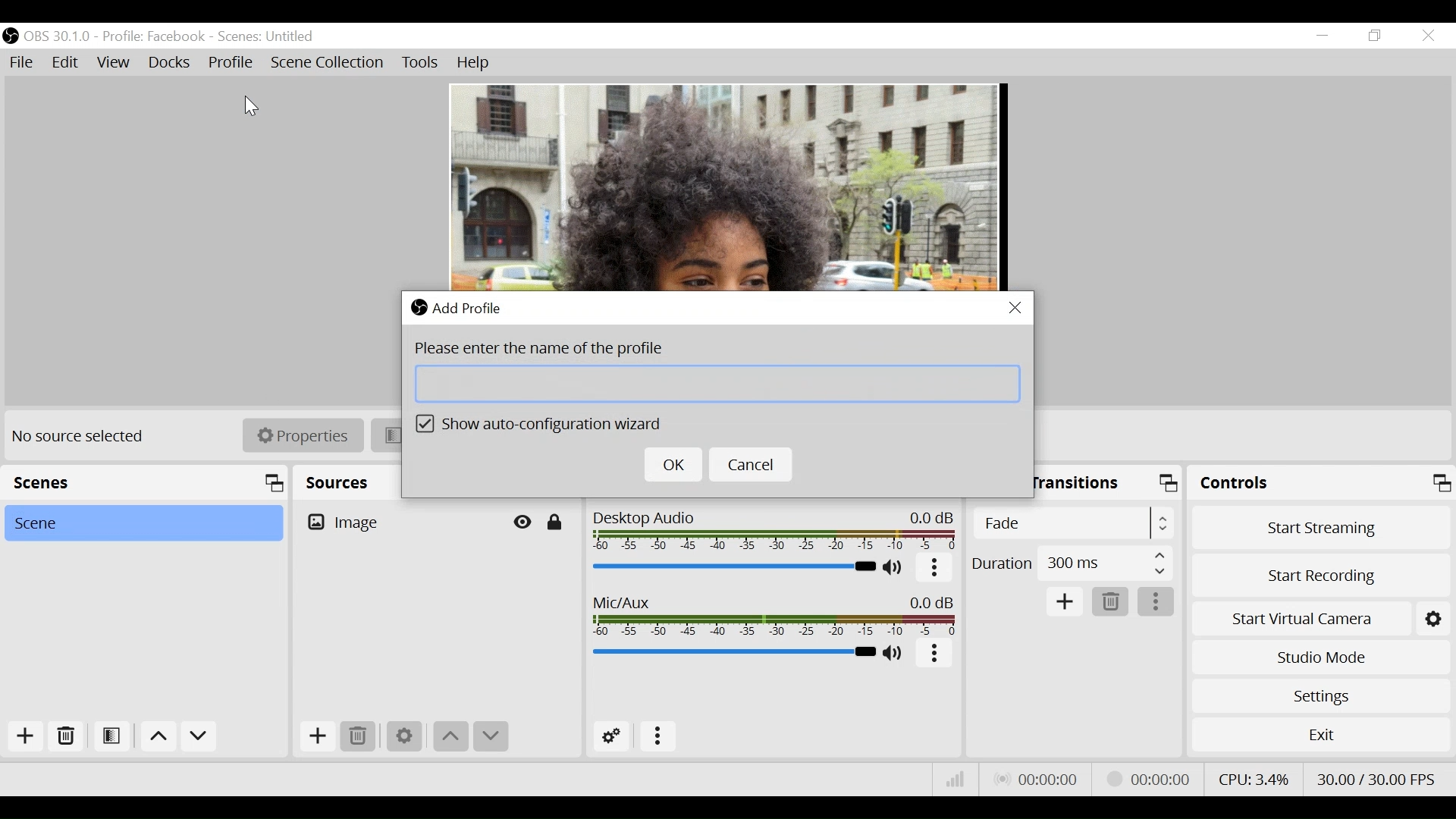  What do you see at coordinates (1376, 777) in the screenshot?
I see `Frame Per Second` at bounding box center [1376, 777].